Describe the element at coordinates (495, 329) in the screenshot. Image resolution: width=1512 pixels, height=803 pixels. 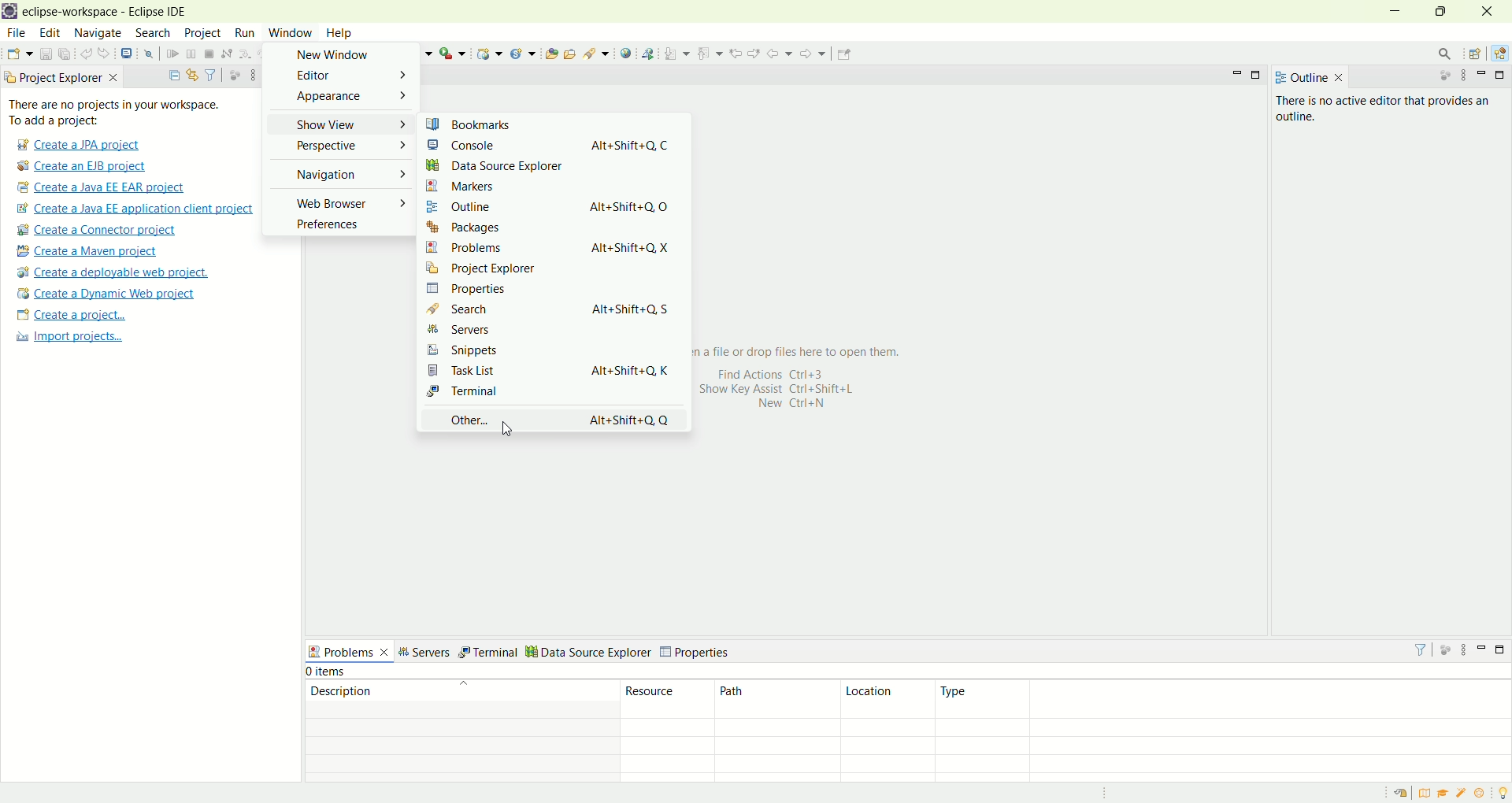
I see `servers` at that location.